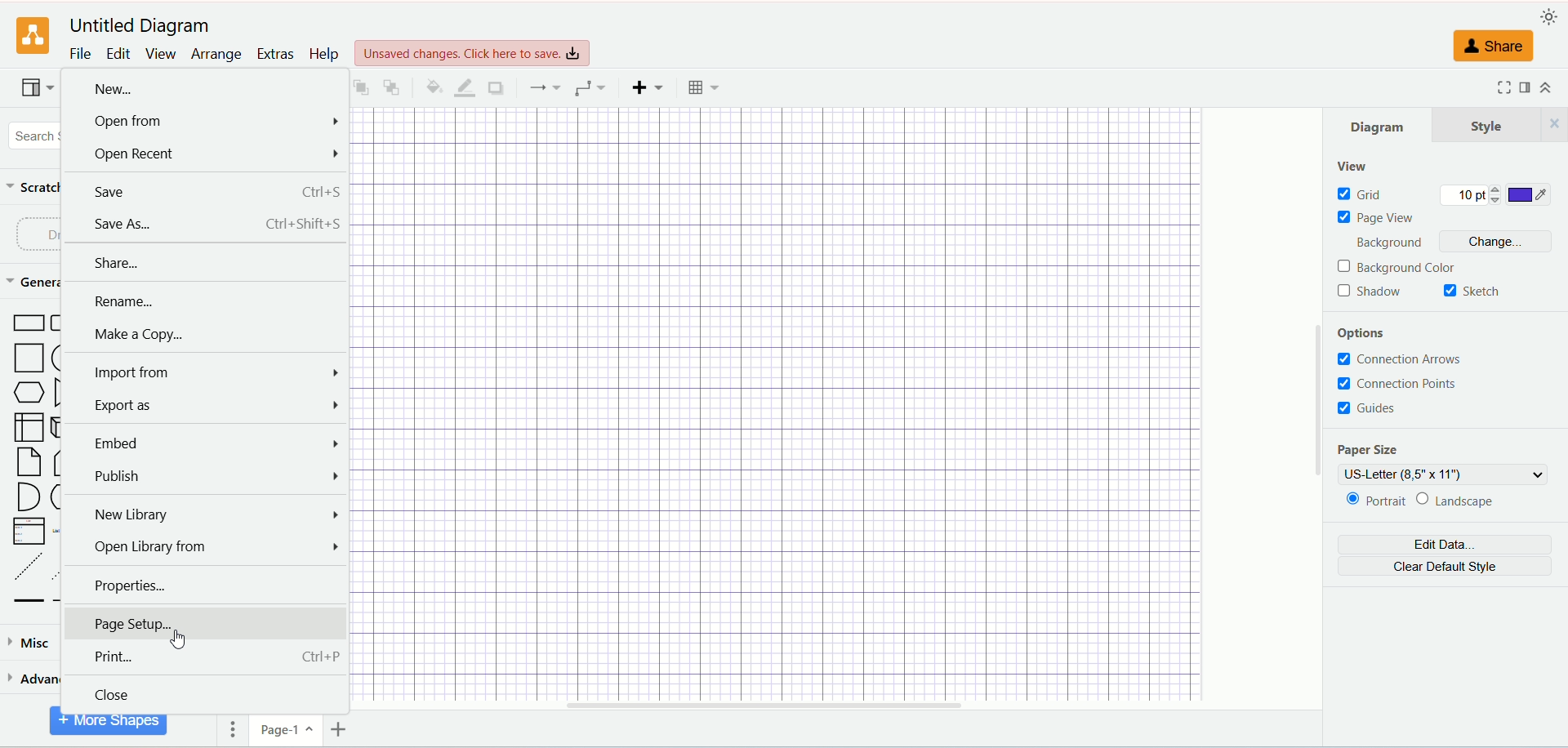  What do you see at coordinates (205, 89) in the screenshot?
I see `new` at bounding box center [205, 89].